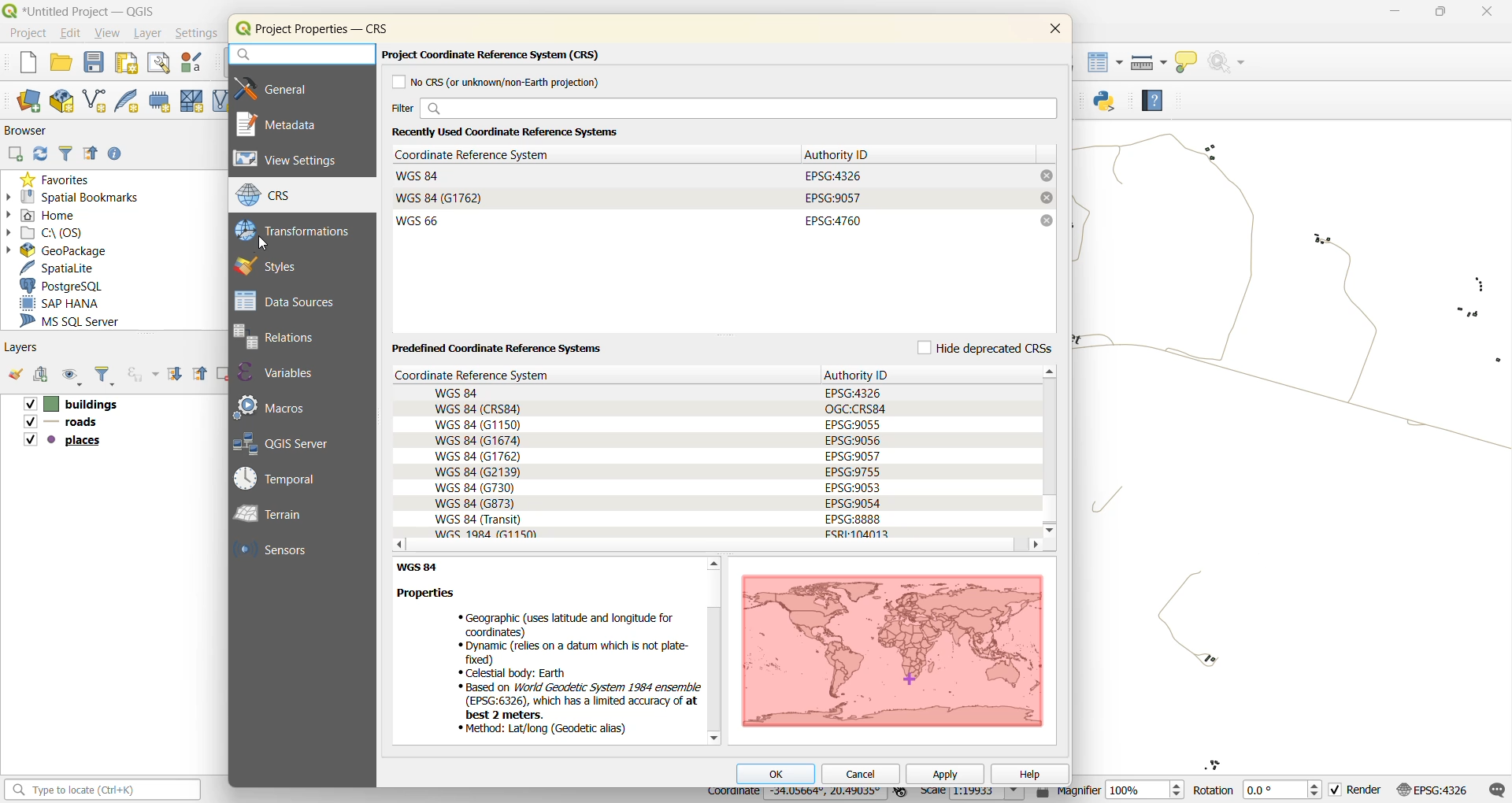 The height and width of the screenshot is (803, 1512). What do you see at coordinates (141, 375) in the screenshot?
I see `filter by experience` at bounding box center [141, 375].